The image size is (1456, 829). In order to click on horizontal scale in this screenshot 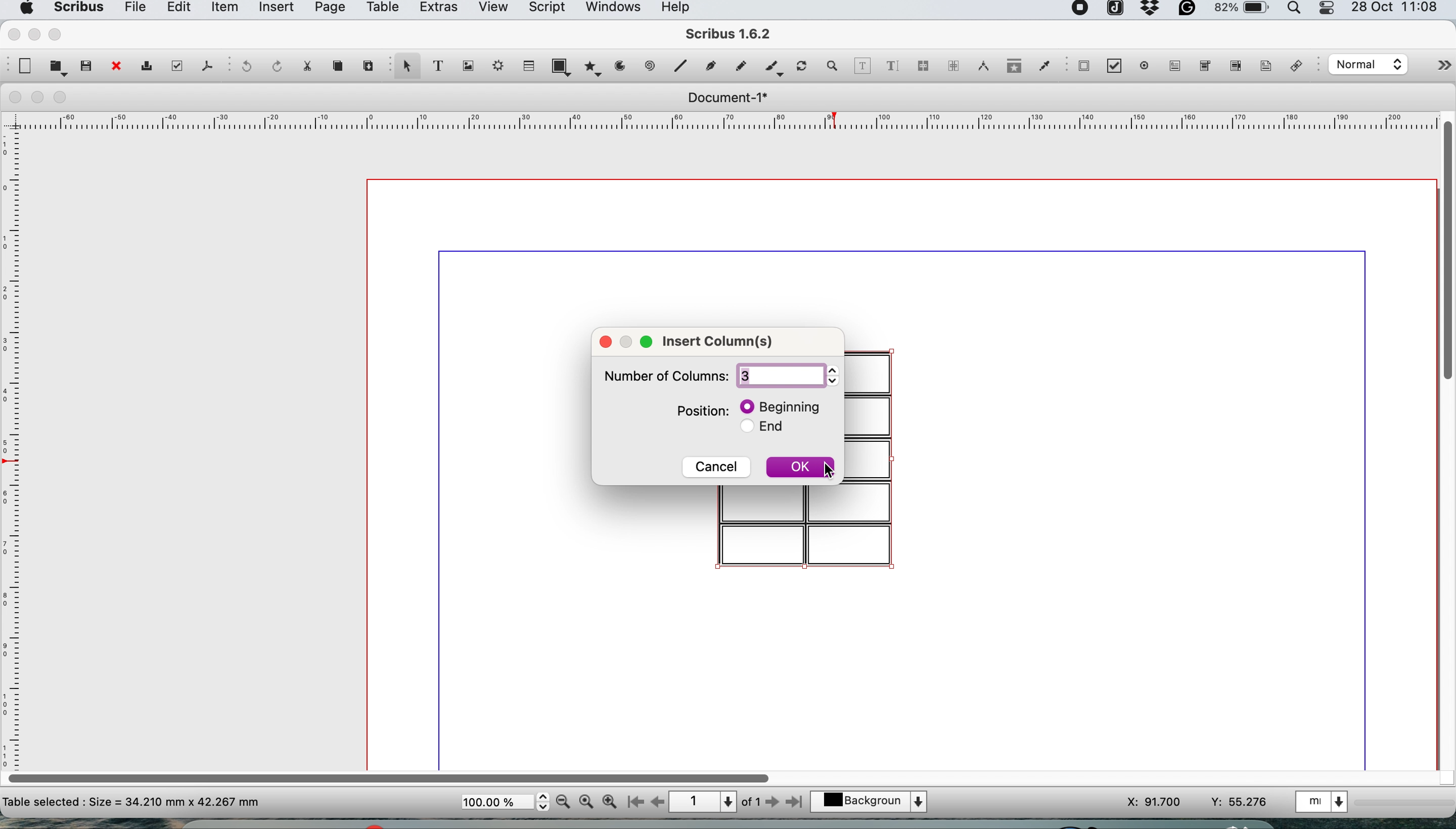, I will do `click(729, 124)`.